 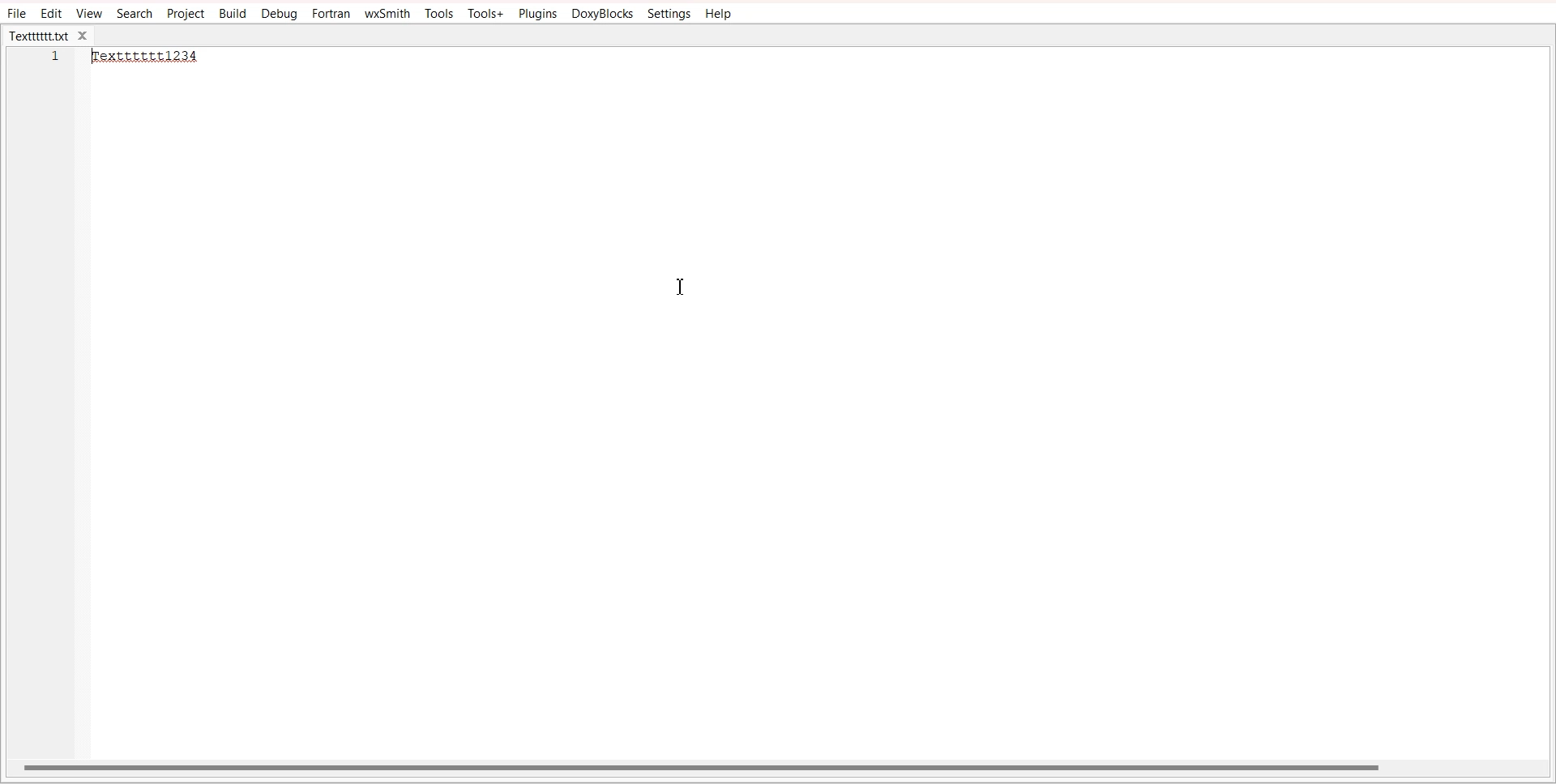 What do you see at coordinates (40, 35) in the screenshot?
I see `Textttttt.txt tab` at bounding box center [40, 35].